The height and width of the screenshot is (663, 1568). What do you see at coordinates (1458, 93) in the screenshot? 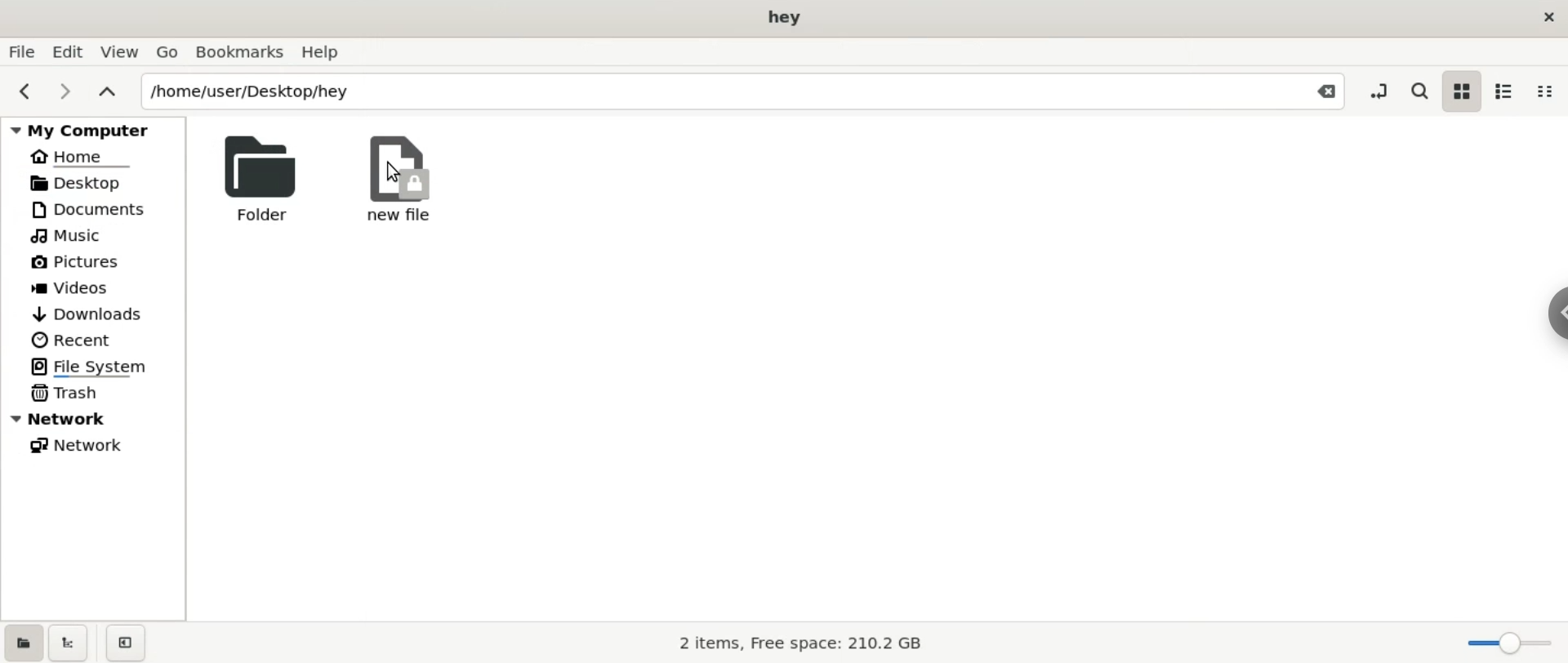
I see `icon view` at bounding box center [1458, 93].